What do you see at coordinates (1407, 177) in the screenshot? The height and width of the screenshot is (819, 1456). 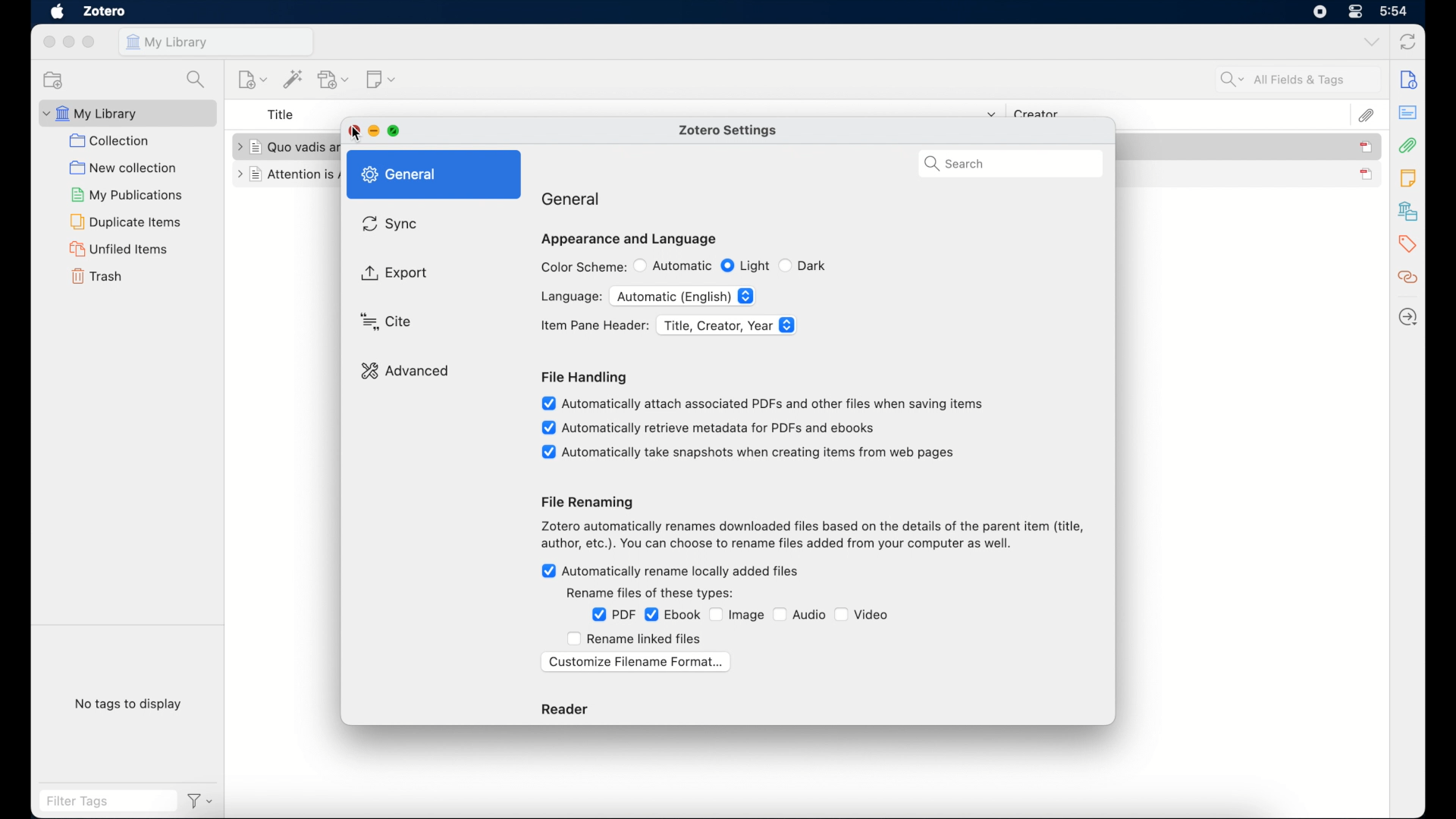 I see `notes ` at bounding box center [1407, 177].